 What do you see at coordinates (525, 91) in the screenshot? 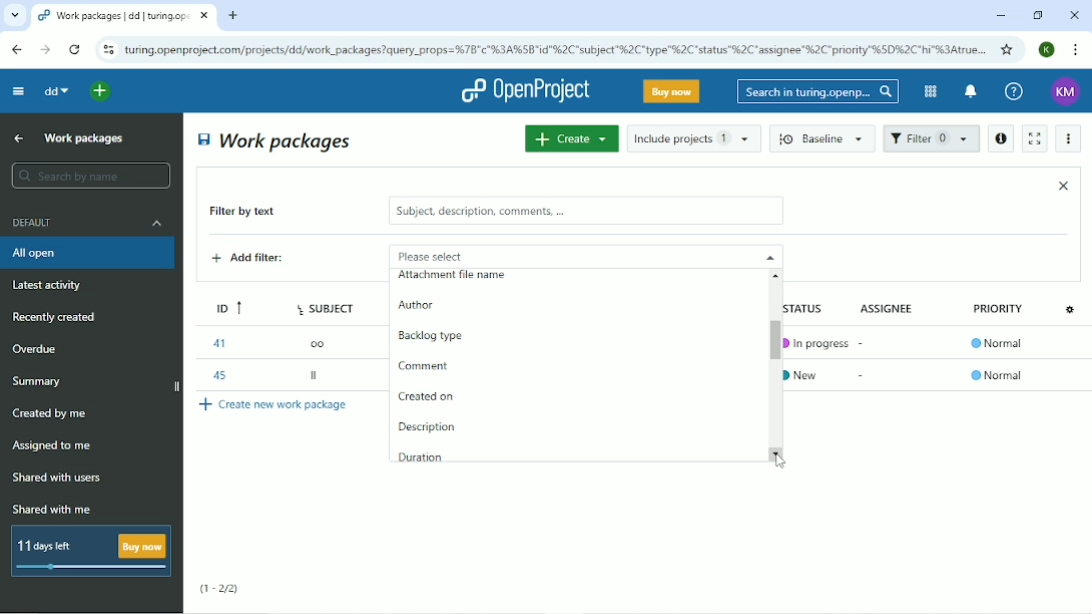
I see `OpenProject` at bounding box center [525, 91].